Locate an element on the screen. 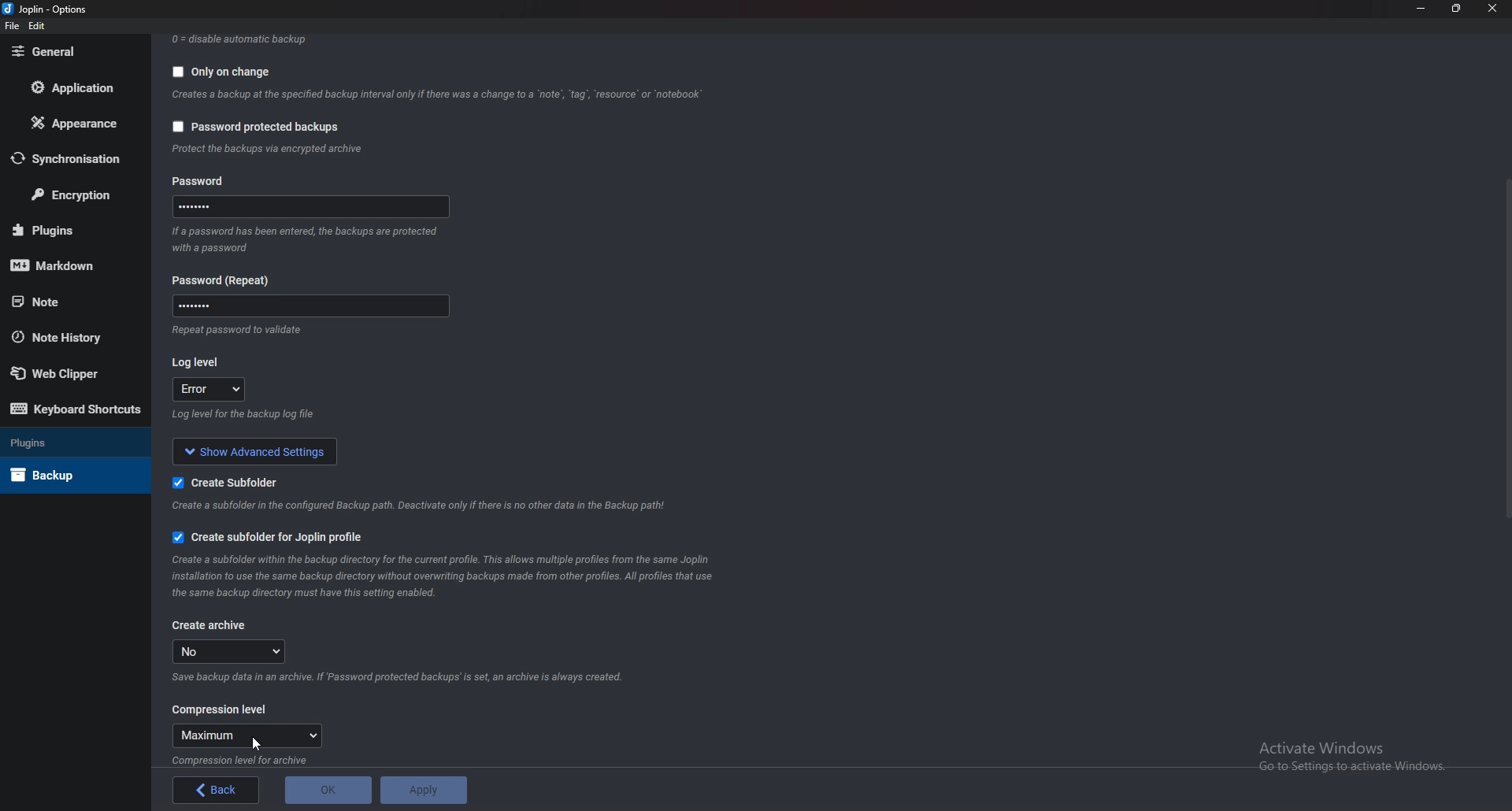 The width and height of the screenshot is (1512, 811). Only on change is located at coordinates (226, 70).